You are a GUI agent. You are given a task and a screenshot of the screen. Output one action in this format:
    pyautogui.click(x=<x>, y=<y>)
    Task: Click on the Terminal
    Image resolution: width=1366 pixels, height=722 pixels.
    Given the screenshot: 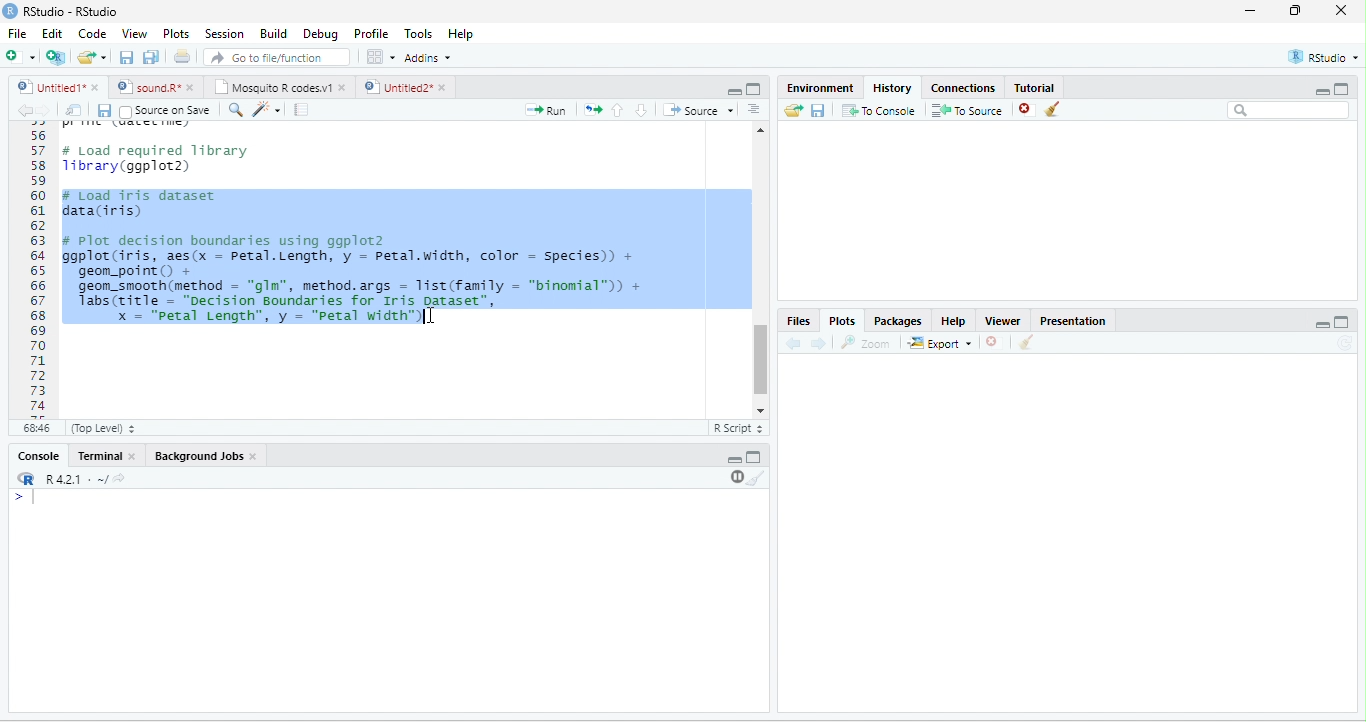 What is the action you would take?
    pyautogui.click(x=97, y=455)
    